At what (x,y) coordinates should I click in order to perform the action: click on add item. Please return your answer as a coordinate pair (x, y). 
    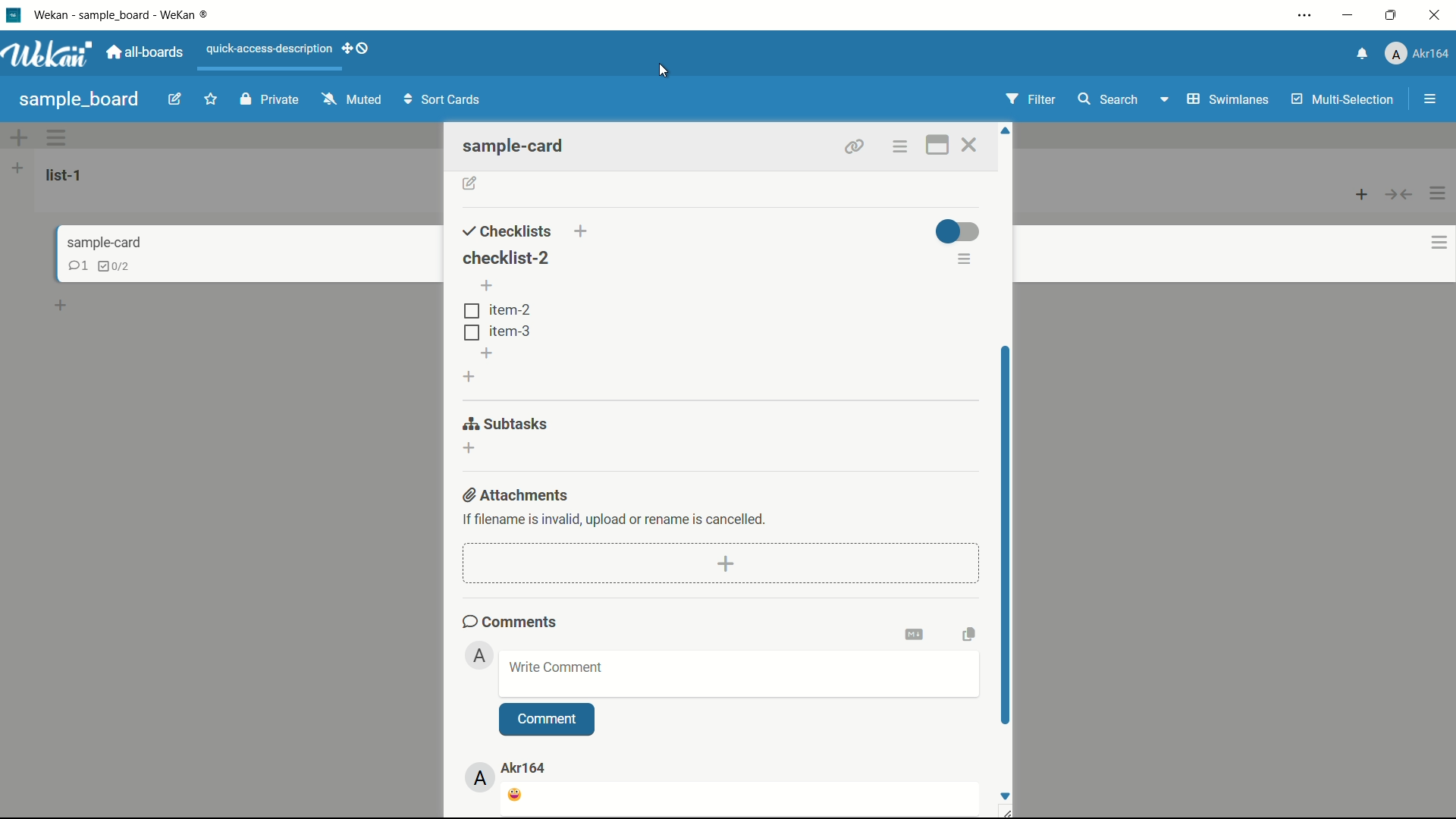
    Looking at the image, I should click on (488, 287).